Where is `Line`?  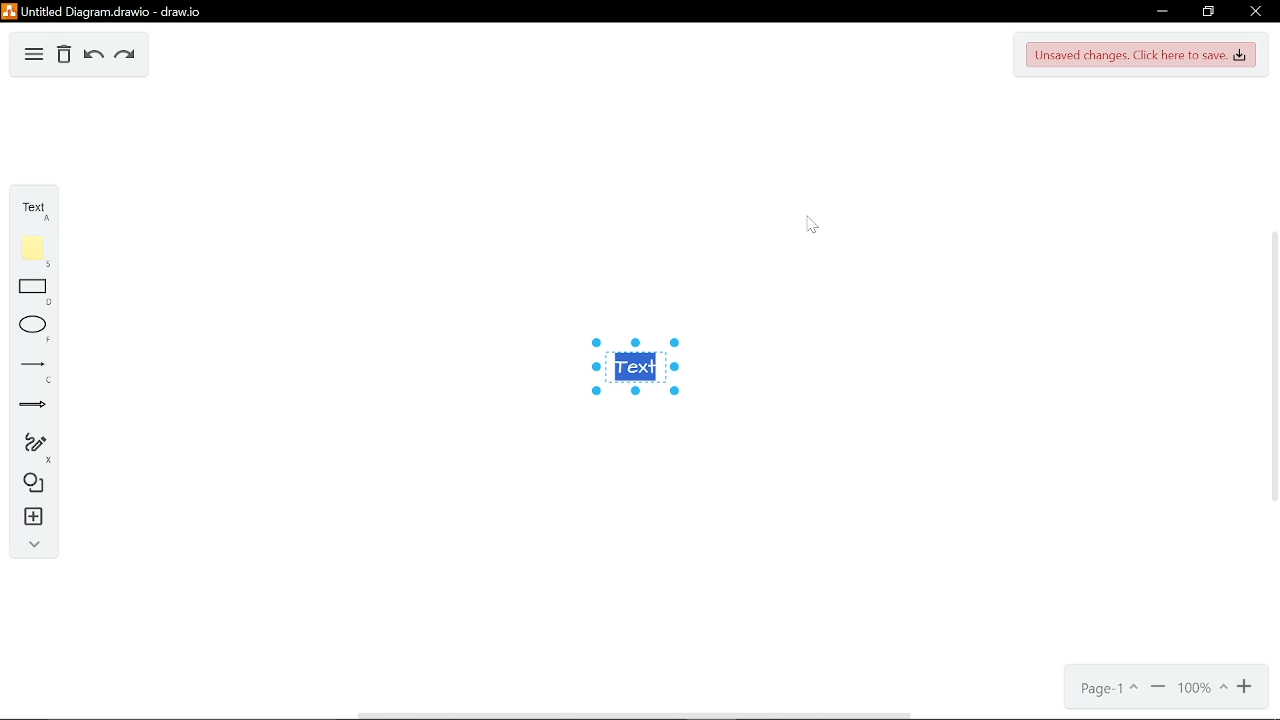 Line is located at coordinates (28, 370).